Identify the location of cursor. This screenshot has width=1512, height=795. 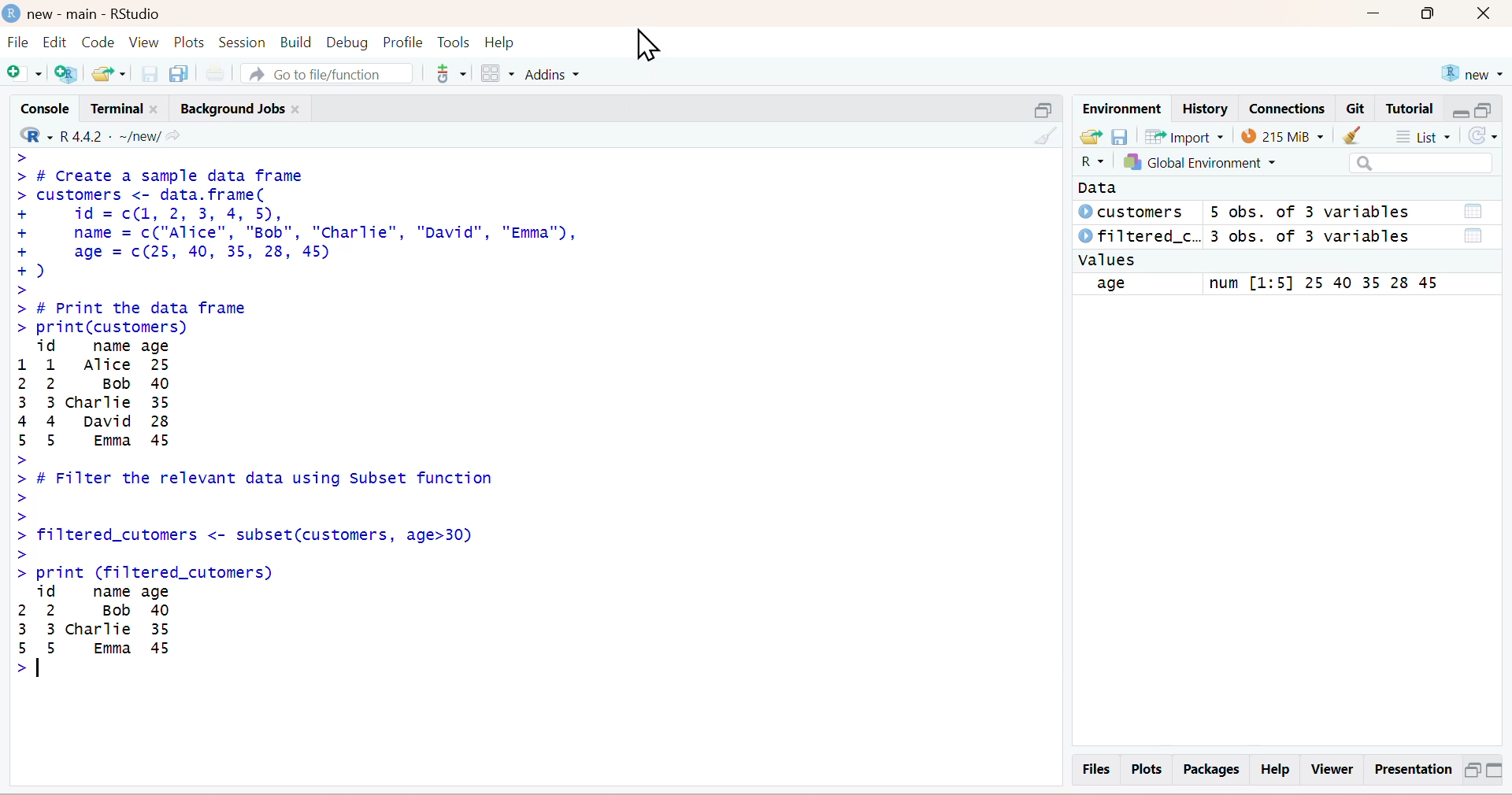
(648, 48).